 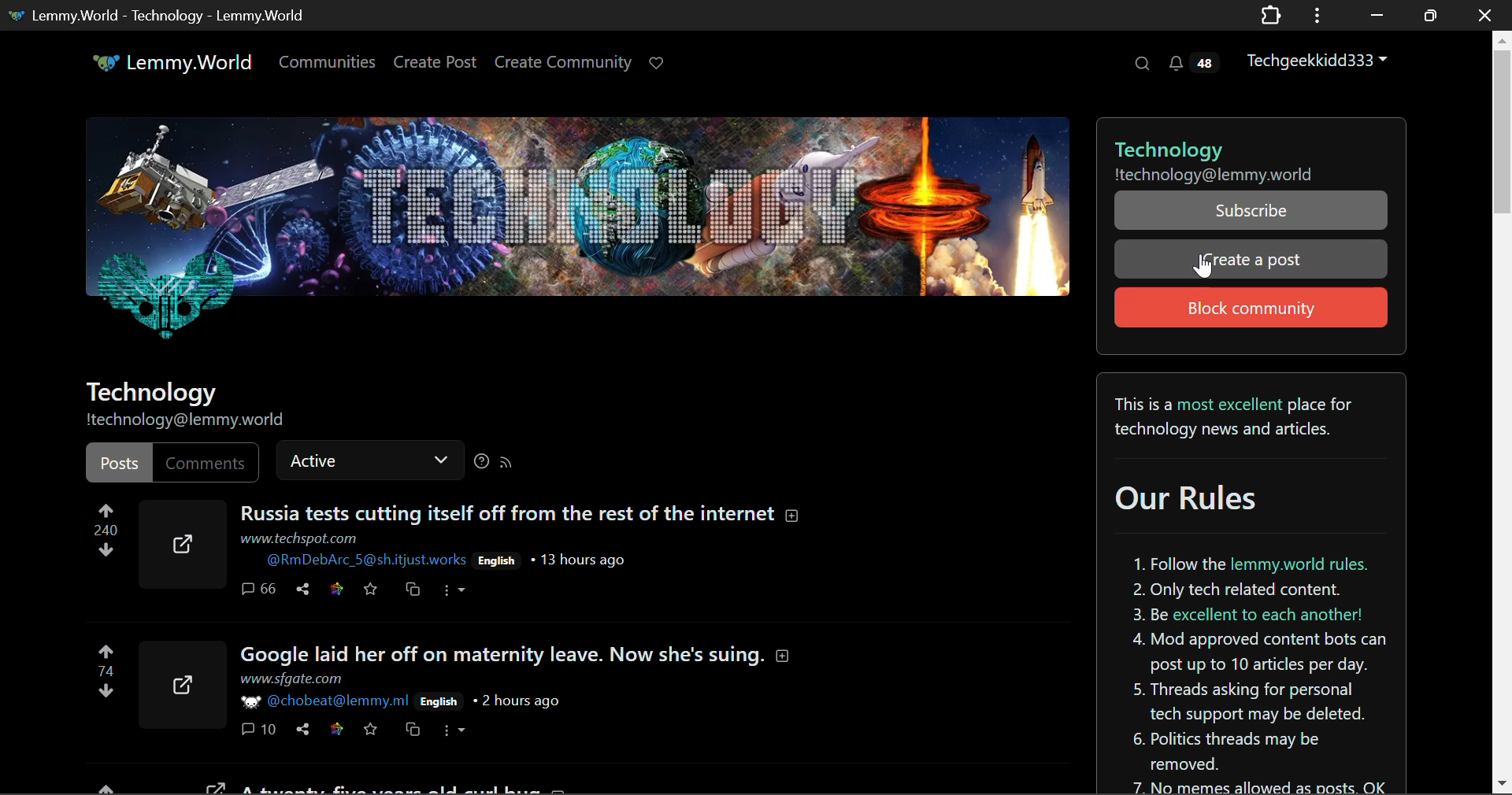 I want to click on Create Community, so click(x=563, y=65).